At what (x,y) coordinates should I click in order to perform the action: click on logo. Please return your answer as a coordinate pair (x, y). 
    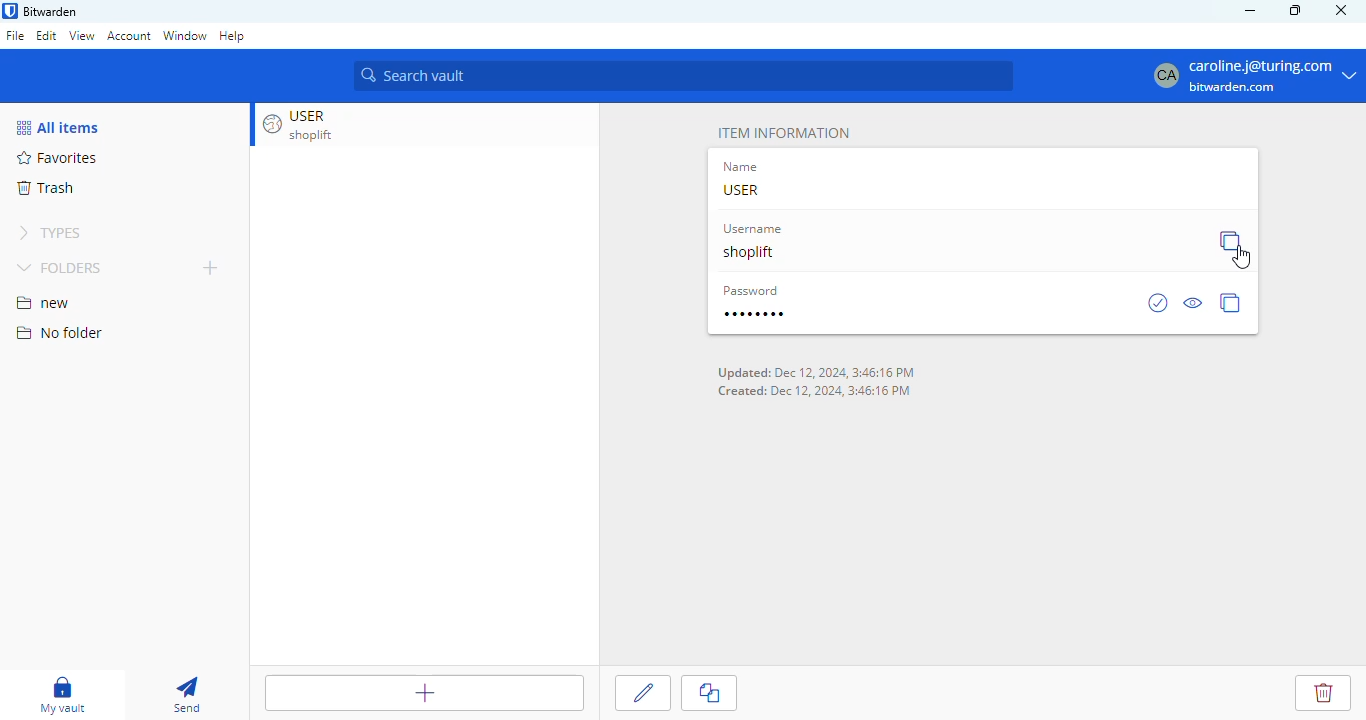
    Looking at the image, I should click on (10, 11).